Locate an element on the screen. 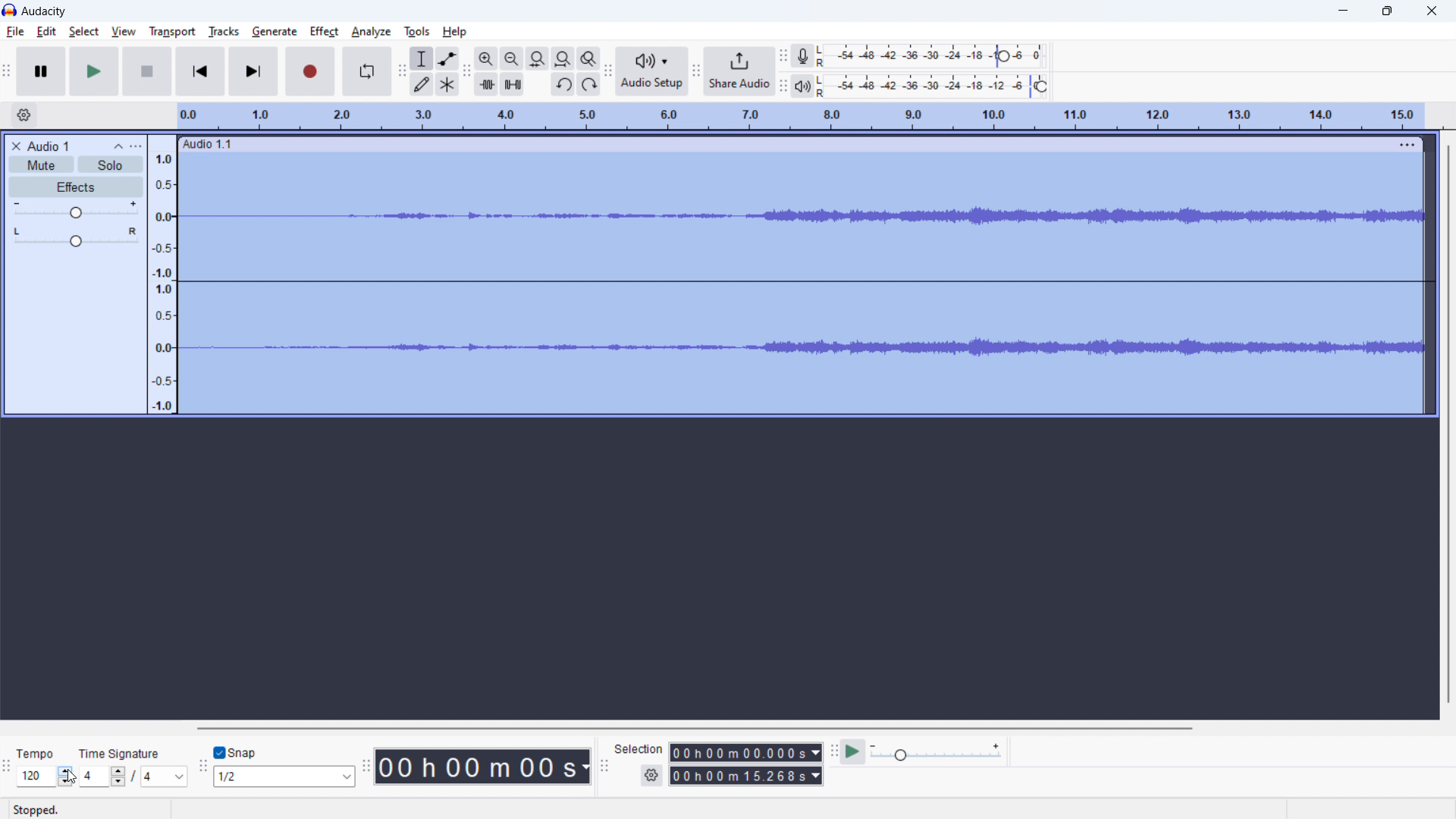 This screenshot has height=819, width=1456. Seledon is located at coordinates (639, 752).